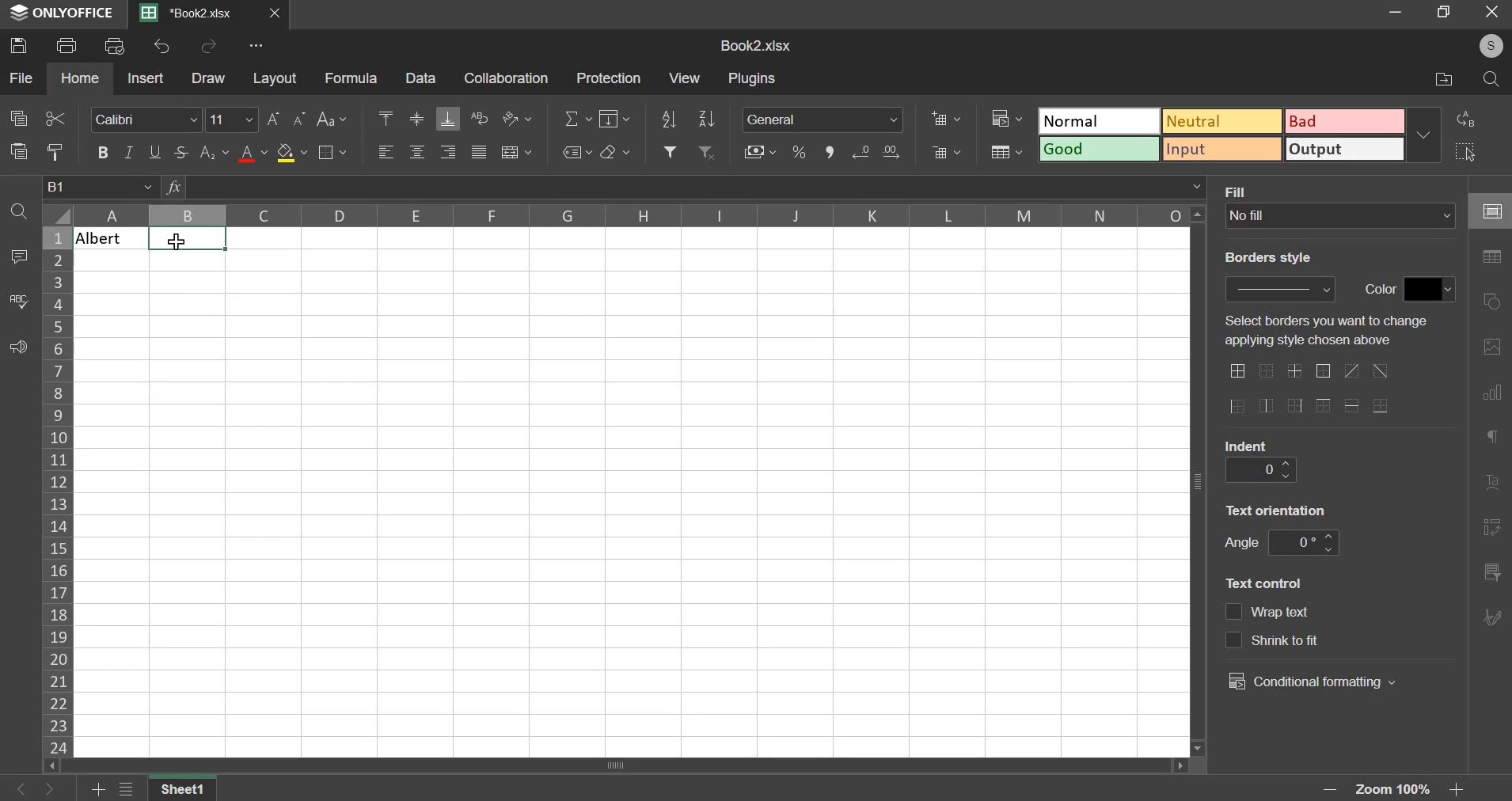 Image resolution: width=1512 pixels, height=801 pixels. What do you see at coordinates (1488, 44) in the screenshot?
I see `user's account` at bounding box center [1488, 44].